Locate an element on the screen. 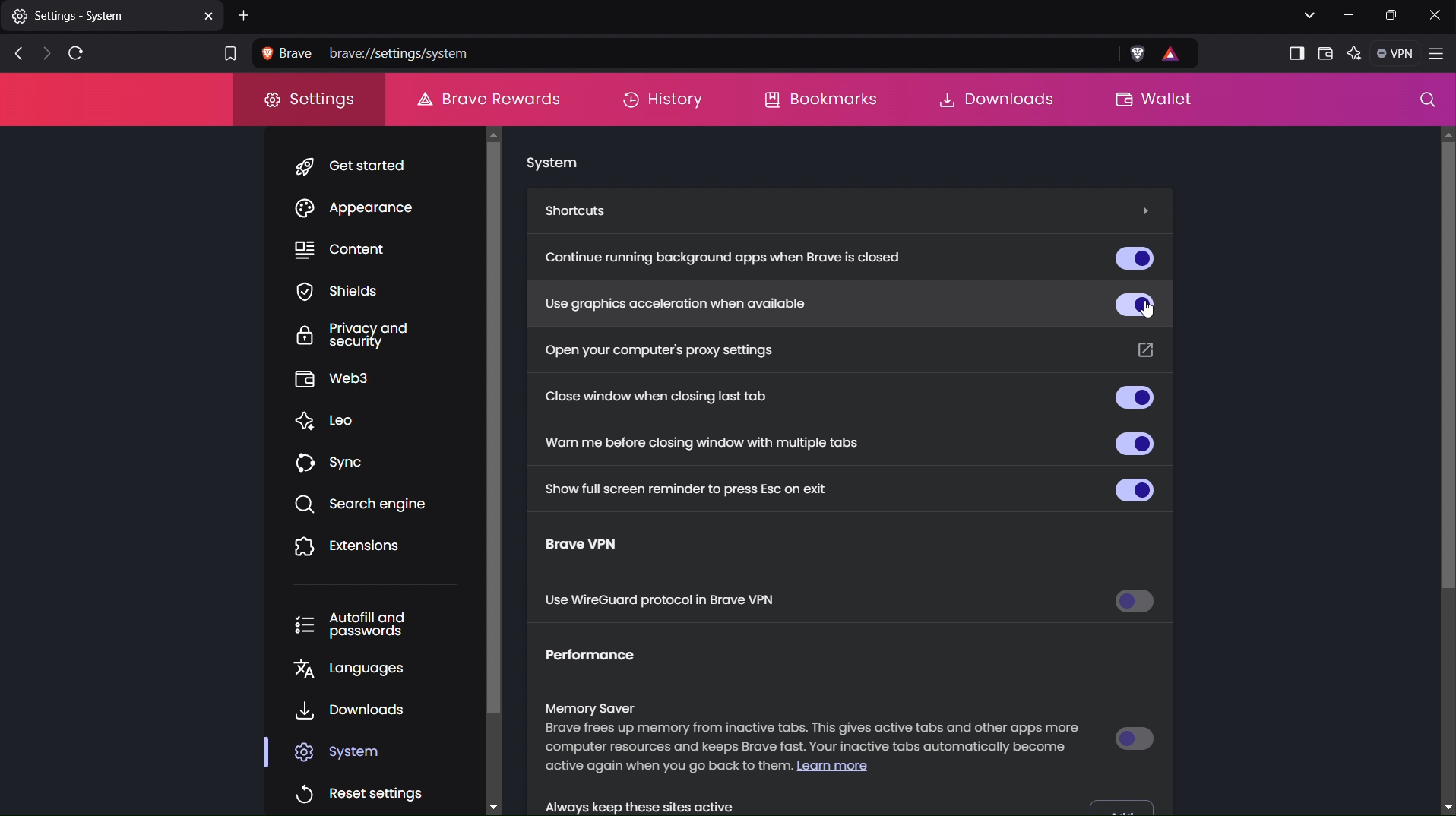 The width and height of the screenshot is (1456, 816). Downloads is located at coordinates (353, 712).